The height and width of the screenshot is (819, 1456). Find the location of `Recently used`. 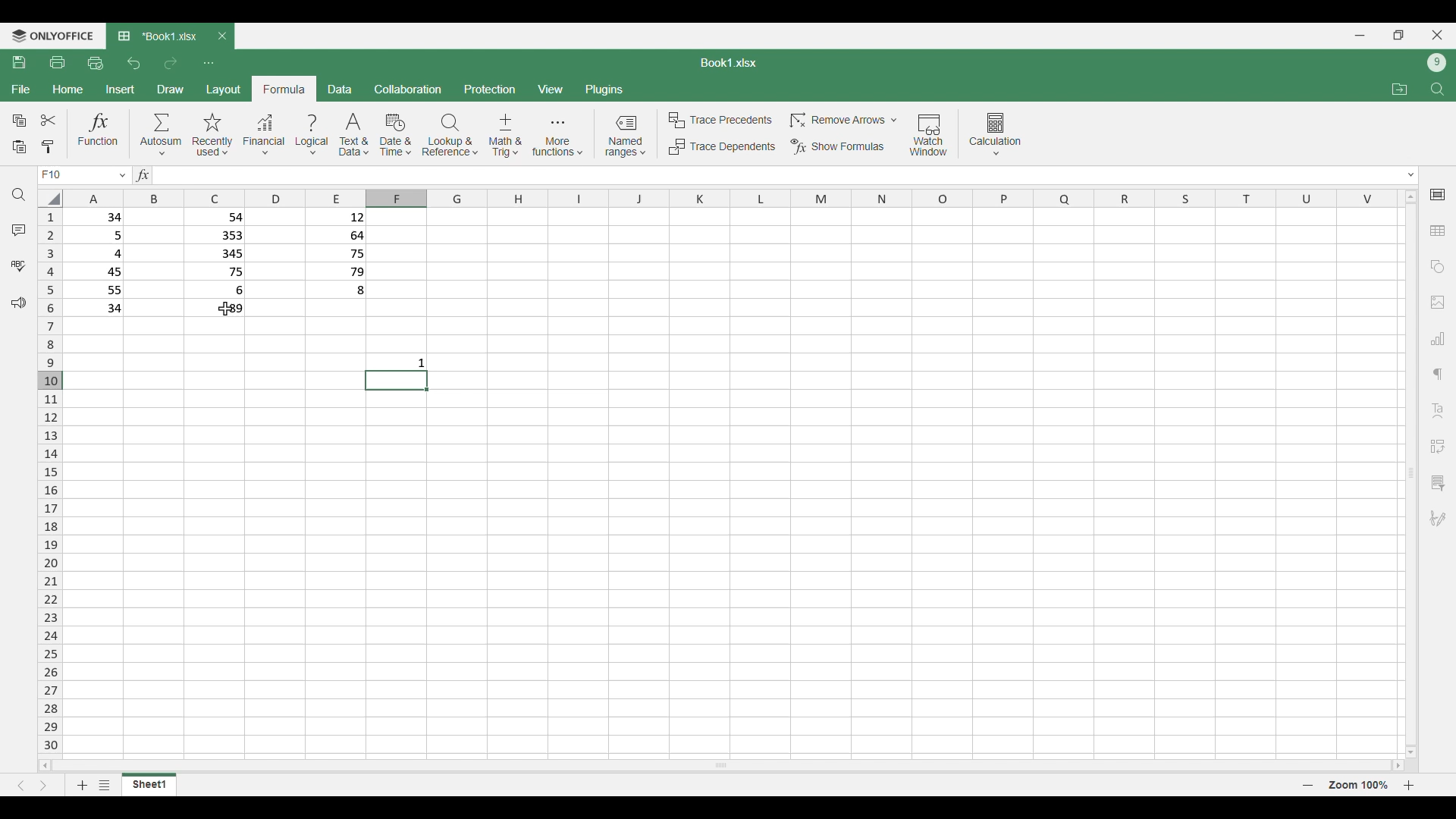

Recently used is located at coordinates (213, 135).